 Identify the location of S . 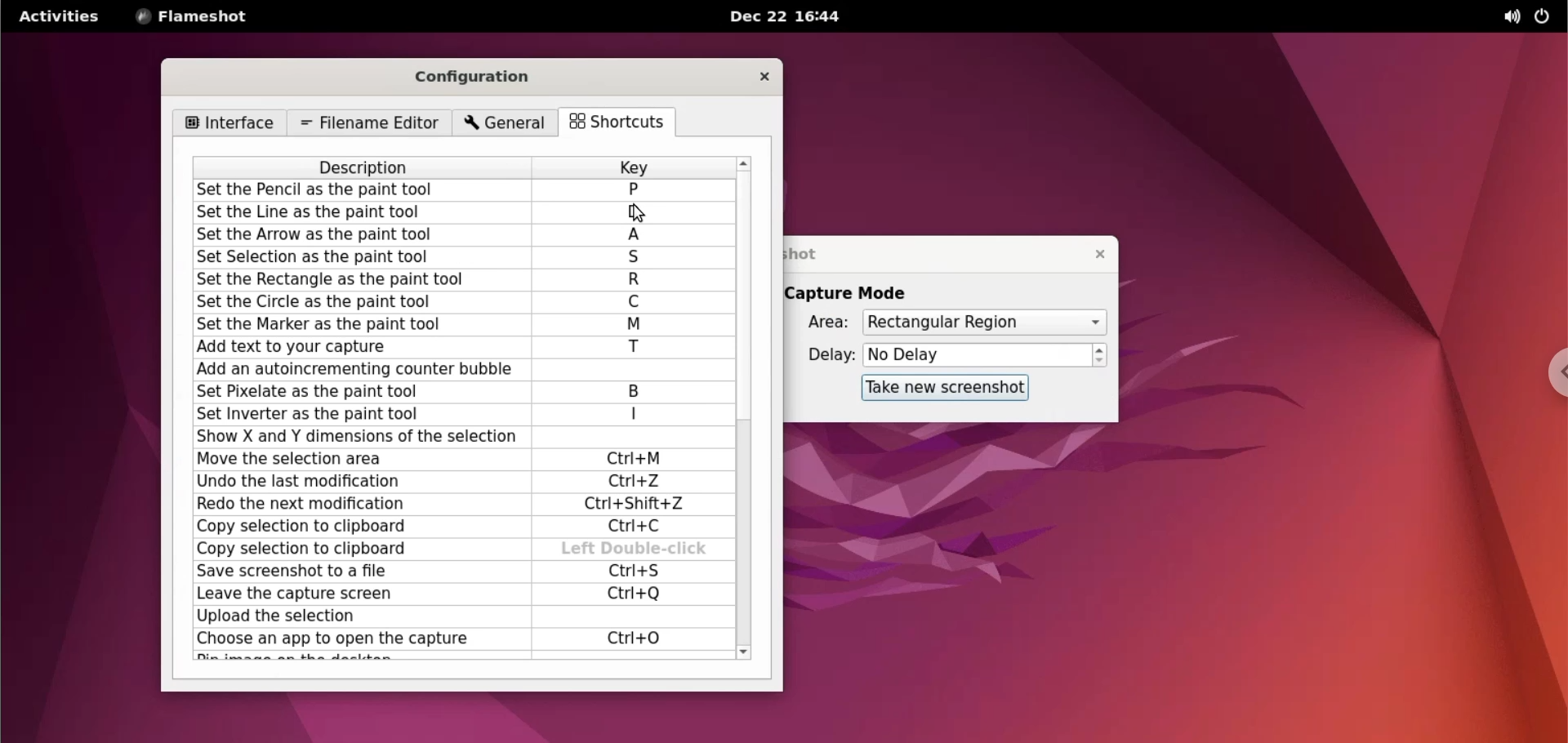
(636, 259).